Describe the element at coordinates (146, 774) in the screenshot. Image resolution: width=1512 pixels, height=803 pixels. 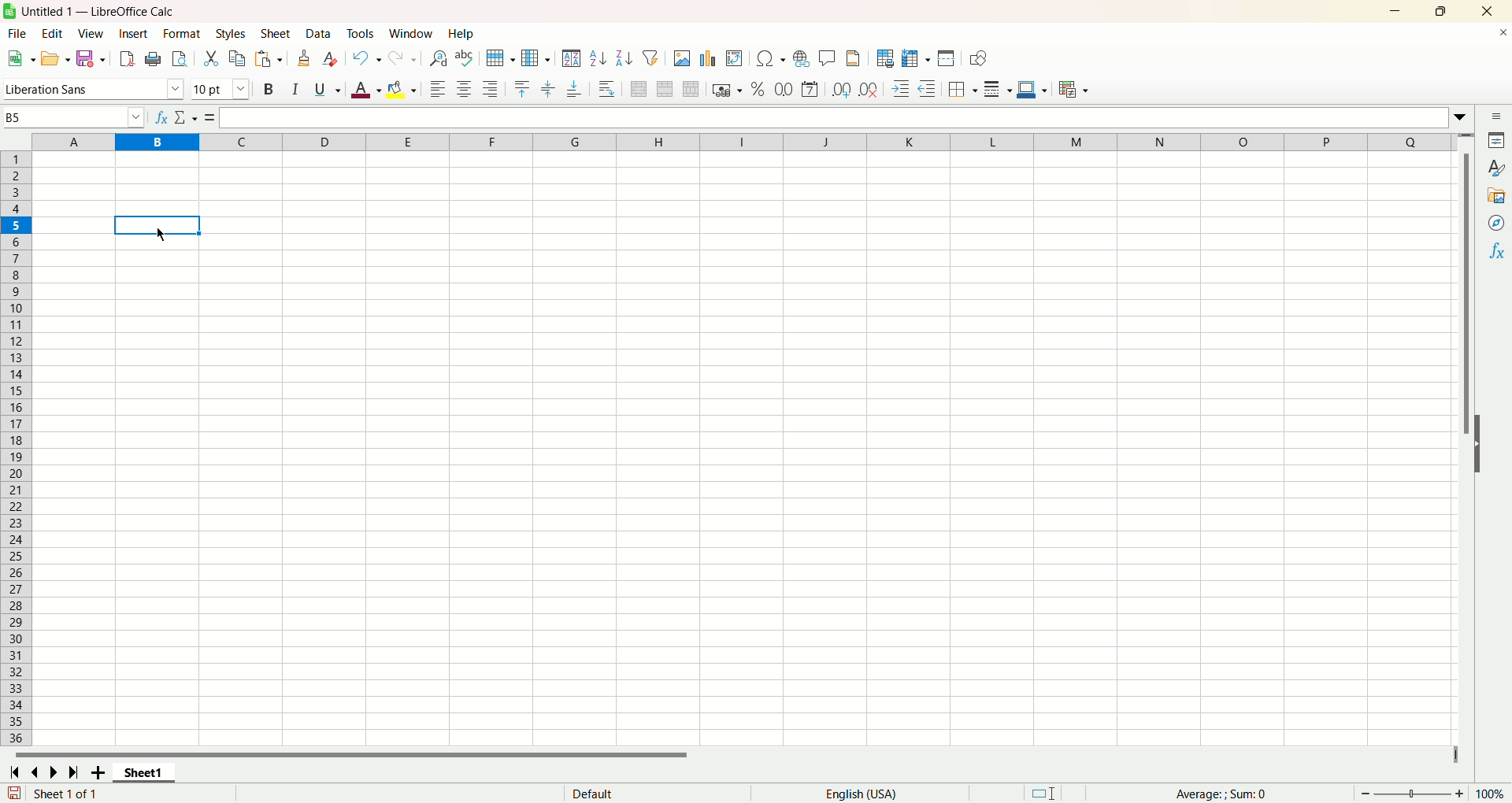
I see `sheet1` at that location.